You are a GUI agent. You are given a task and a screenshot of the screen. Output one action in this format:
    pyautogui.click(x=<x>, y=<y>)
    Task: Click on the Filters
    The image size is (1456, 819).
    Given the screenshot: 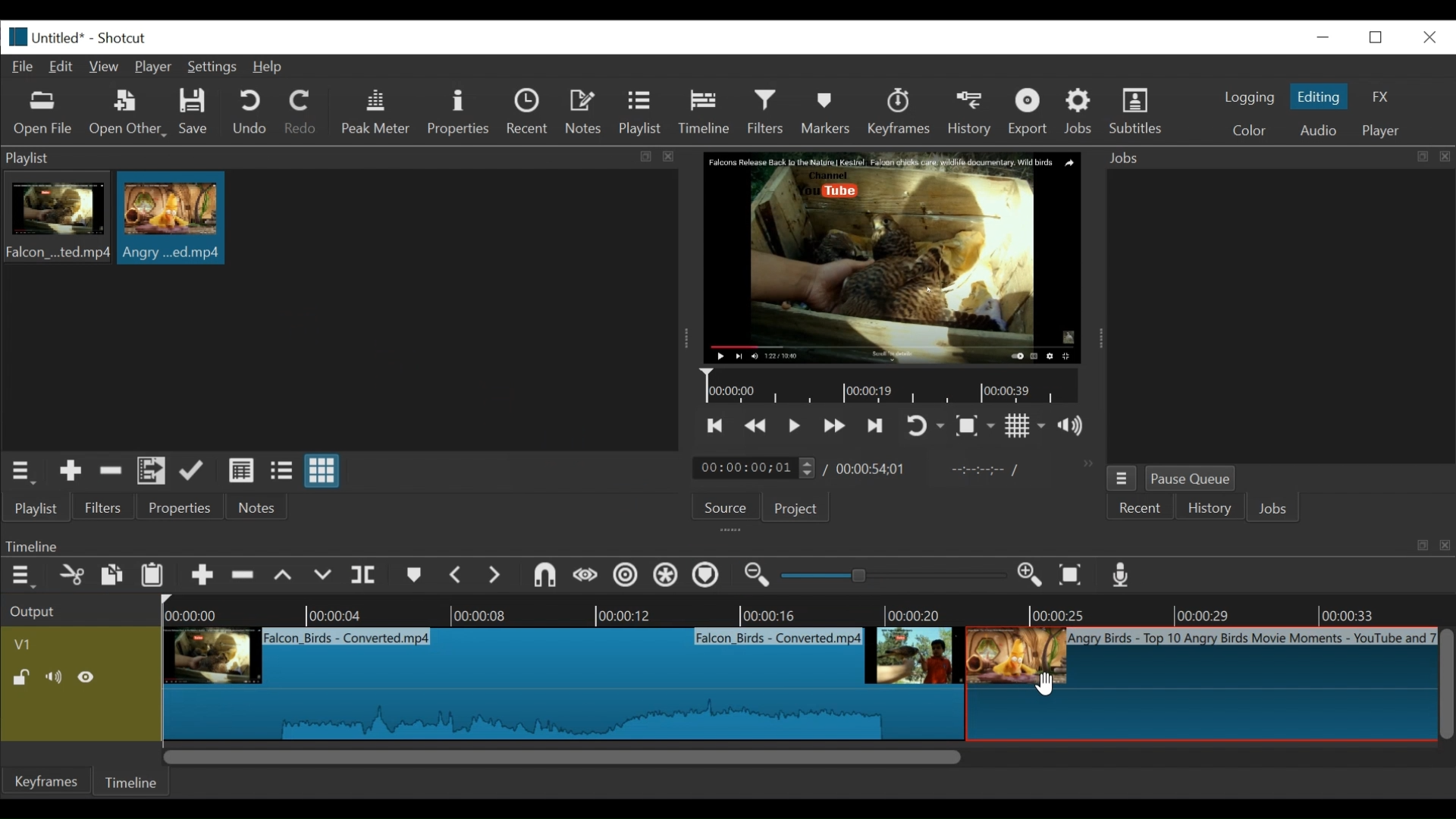 What is the action you would take?
    pyautogui.click(x=770, y=112)
    